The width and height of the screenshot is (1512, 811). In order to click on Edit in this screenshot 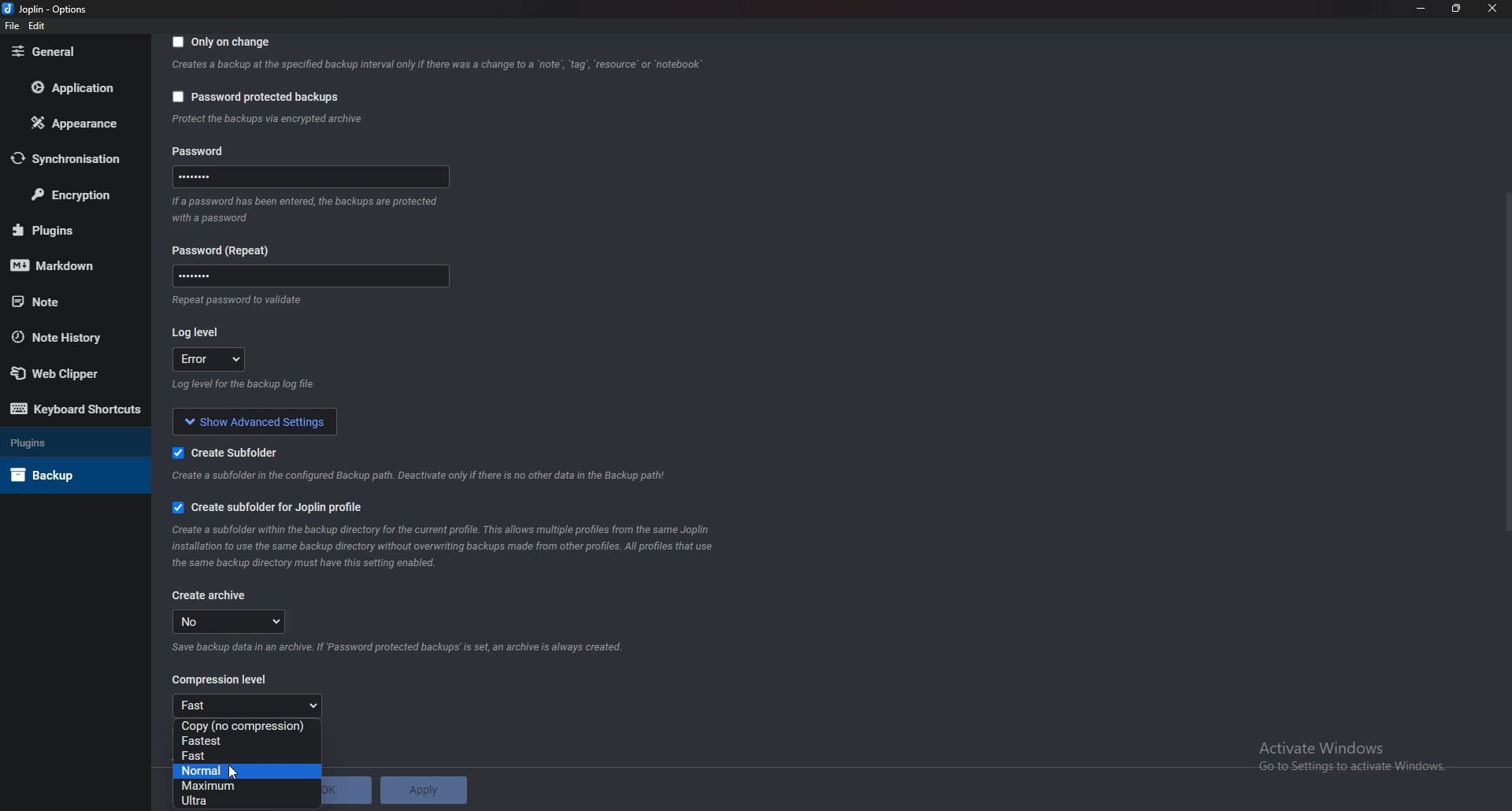, I will do `click(38, 26)`.